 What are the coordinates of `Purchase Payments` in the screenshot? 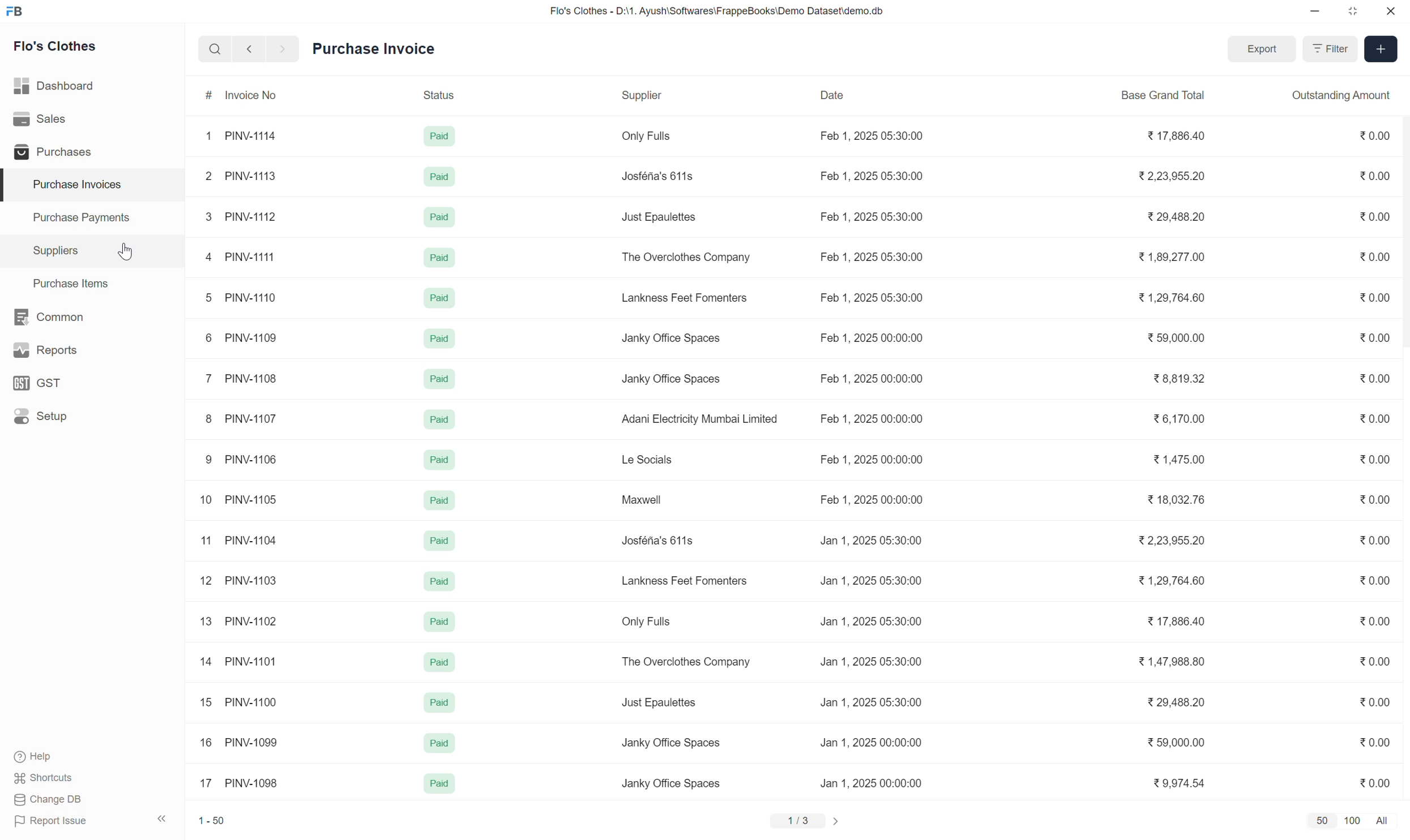 It's located at (92, 218).